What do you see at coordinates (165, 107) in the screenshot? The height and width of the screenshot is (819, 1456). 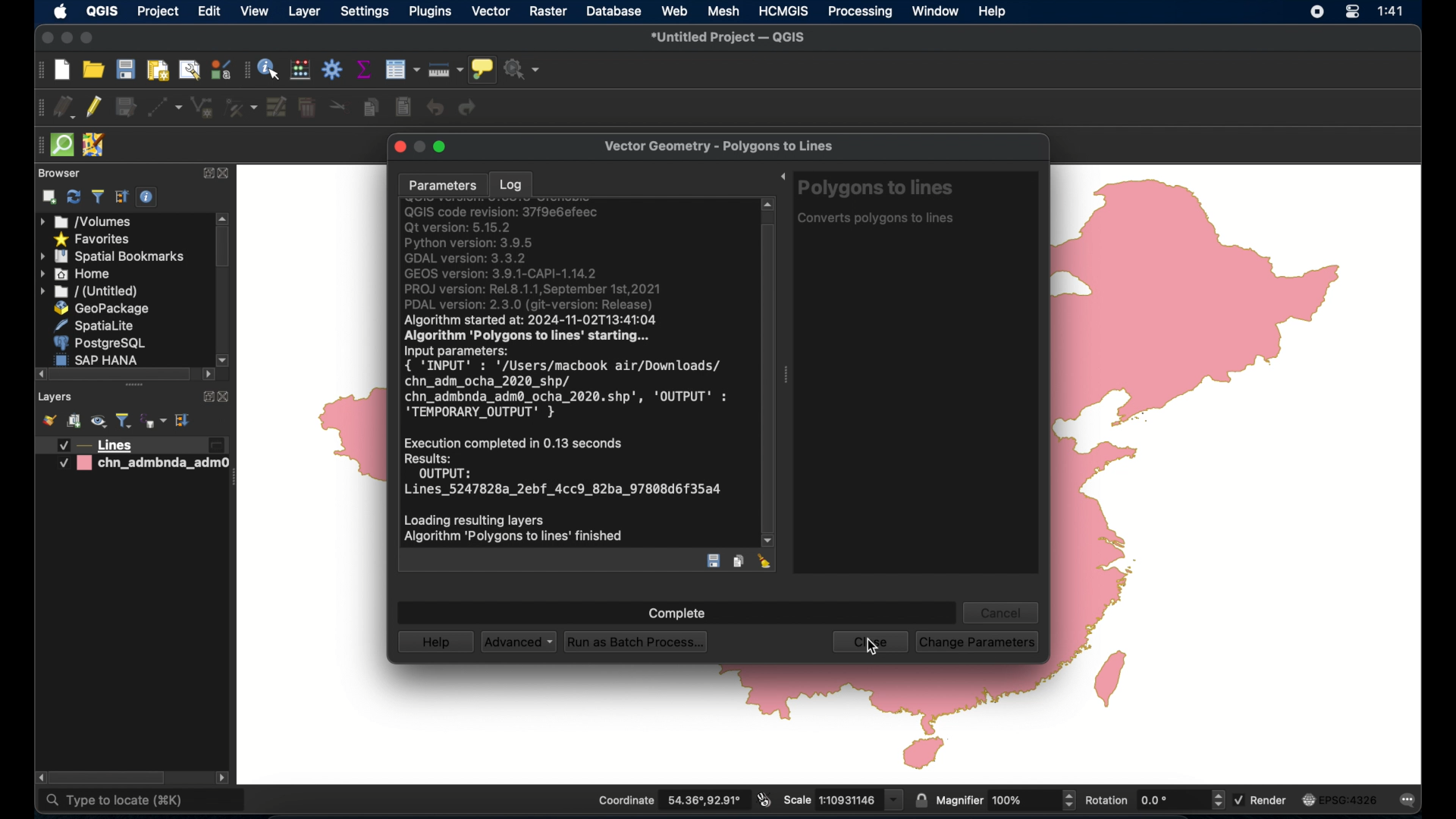 I see `digitize with segment` at bounding box center [165, 107].